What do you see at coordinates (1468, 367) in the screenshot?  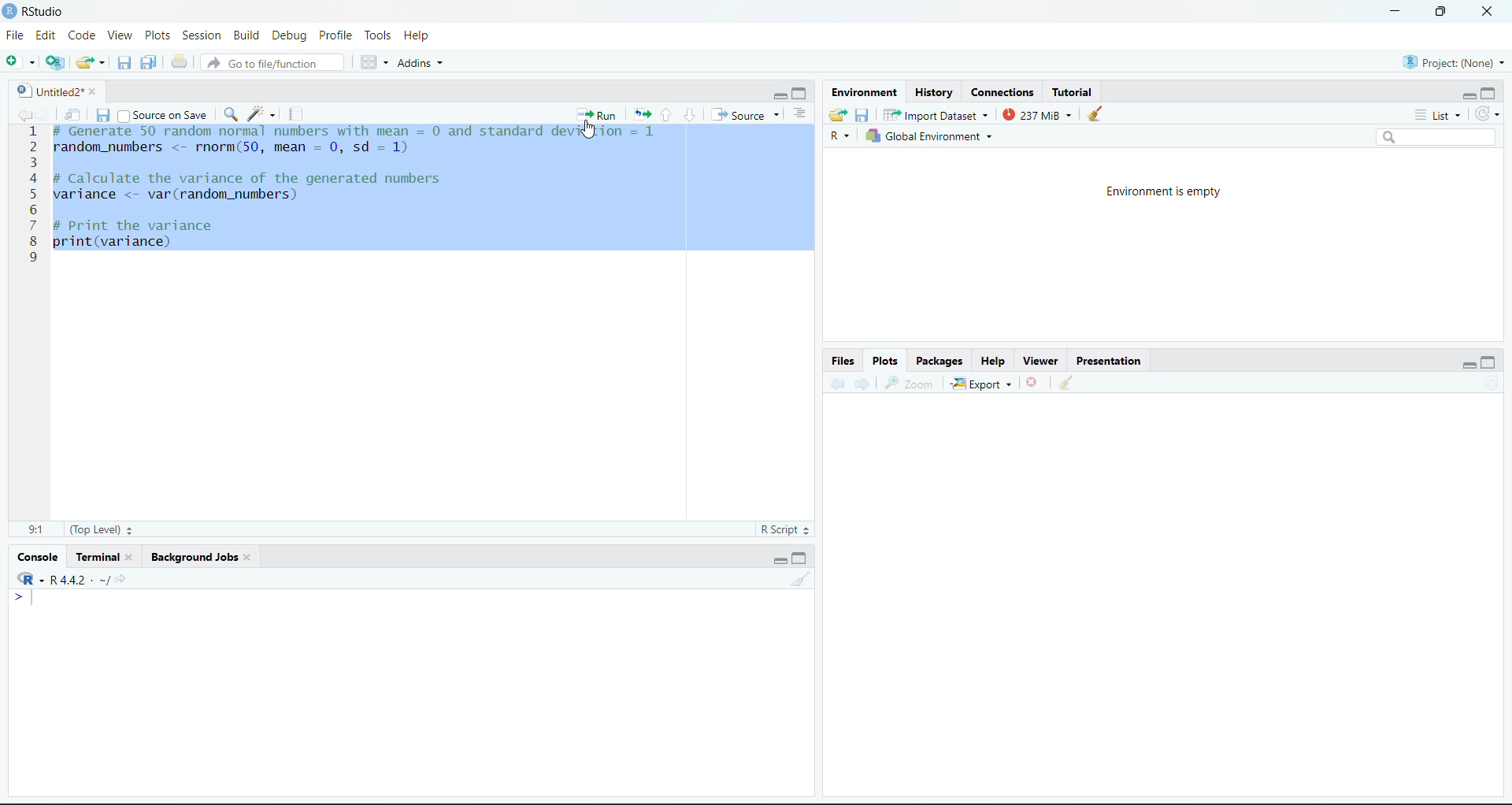 I see `minimize` at bounding box center [1468, 367].